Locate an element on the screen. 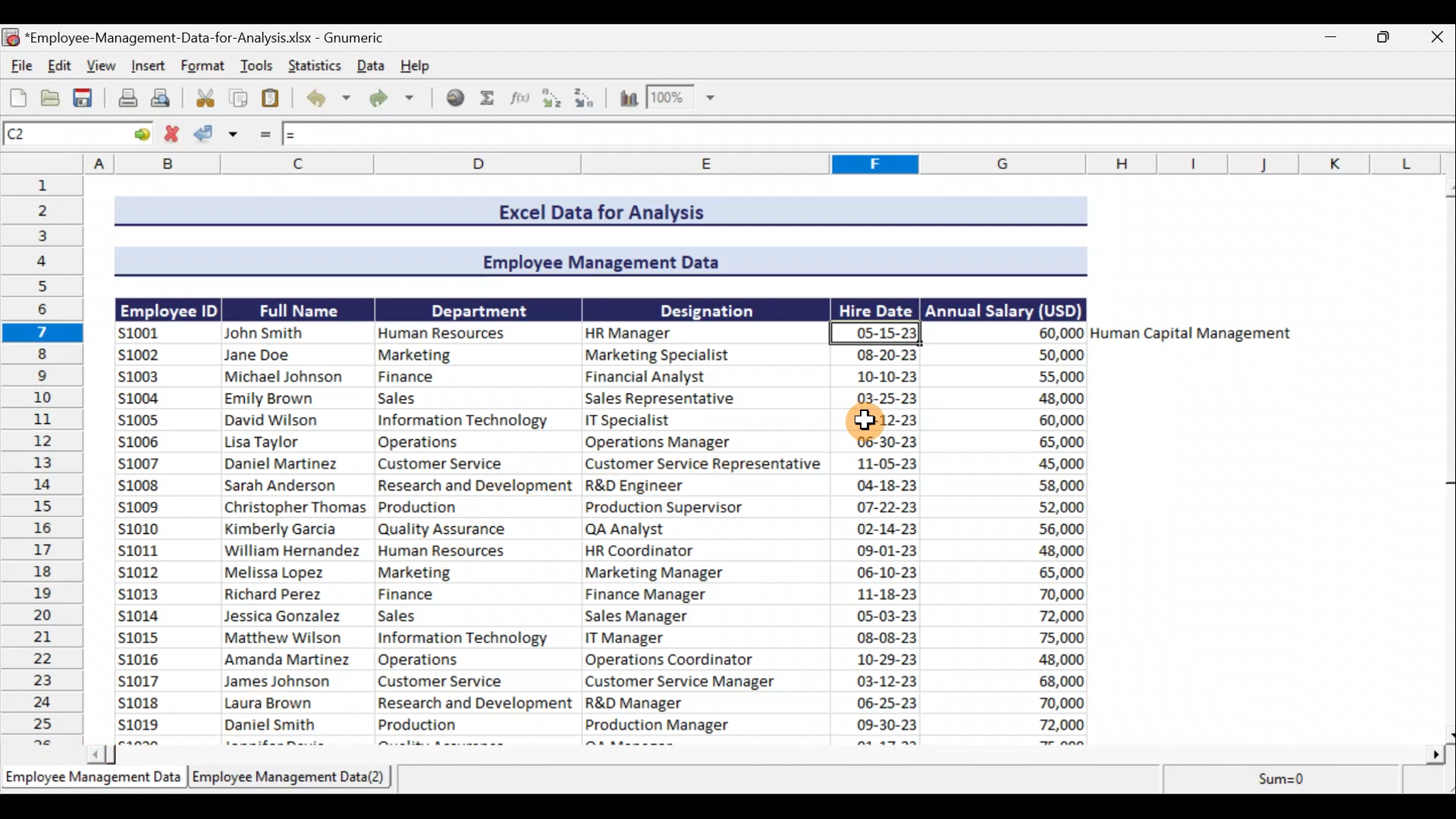 The height and width of the screenshot is (819, 1456). Help is located at coordinates (416, 68).